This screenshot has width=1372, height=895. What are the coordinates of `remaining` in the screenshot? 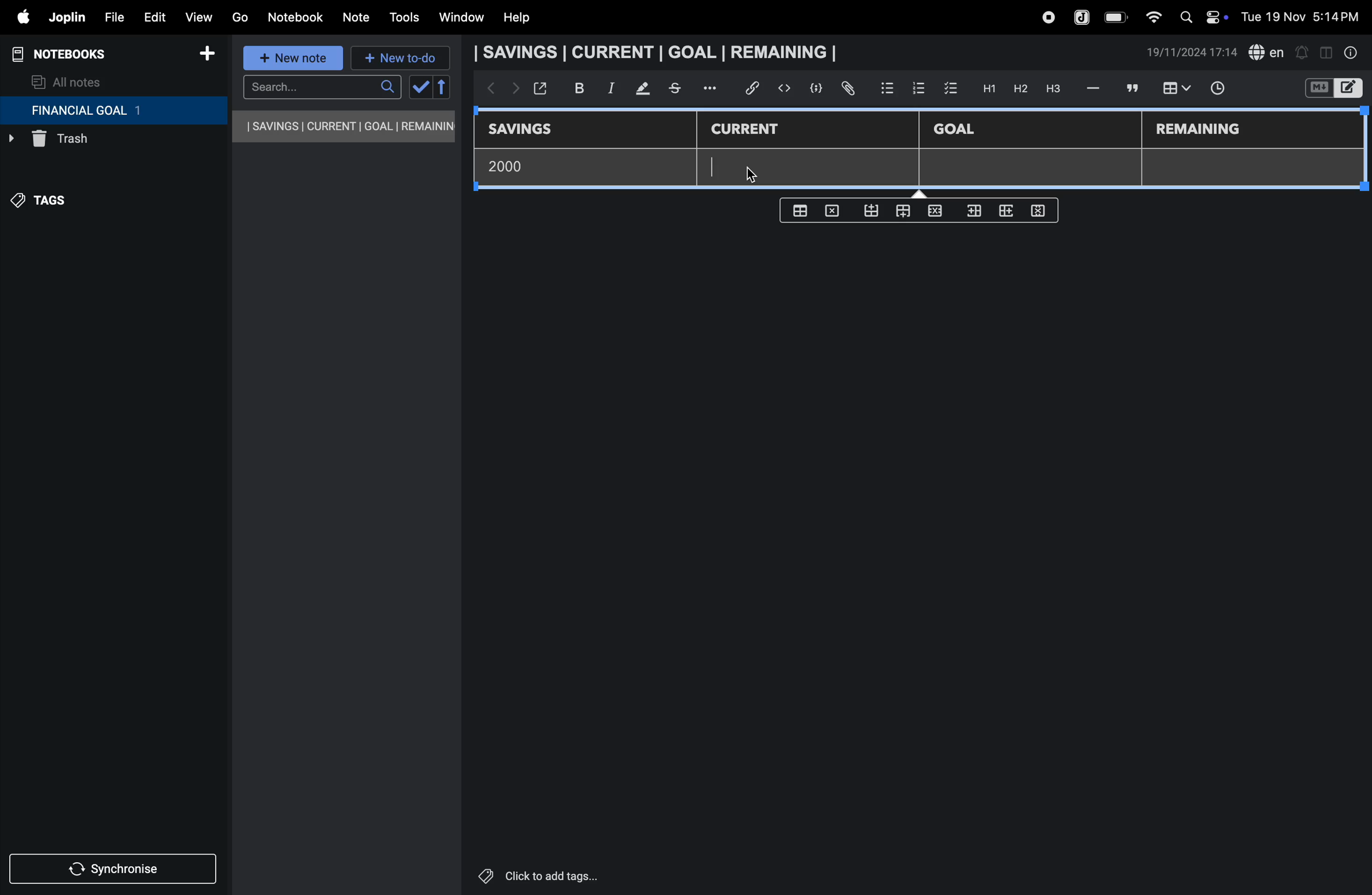 It's located at (1200, 130).